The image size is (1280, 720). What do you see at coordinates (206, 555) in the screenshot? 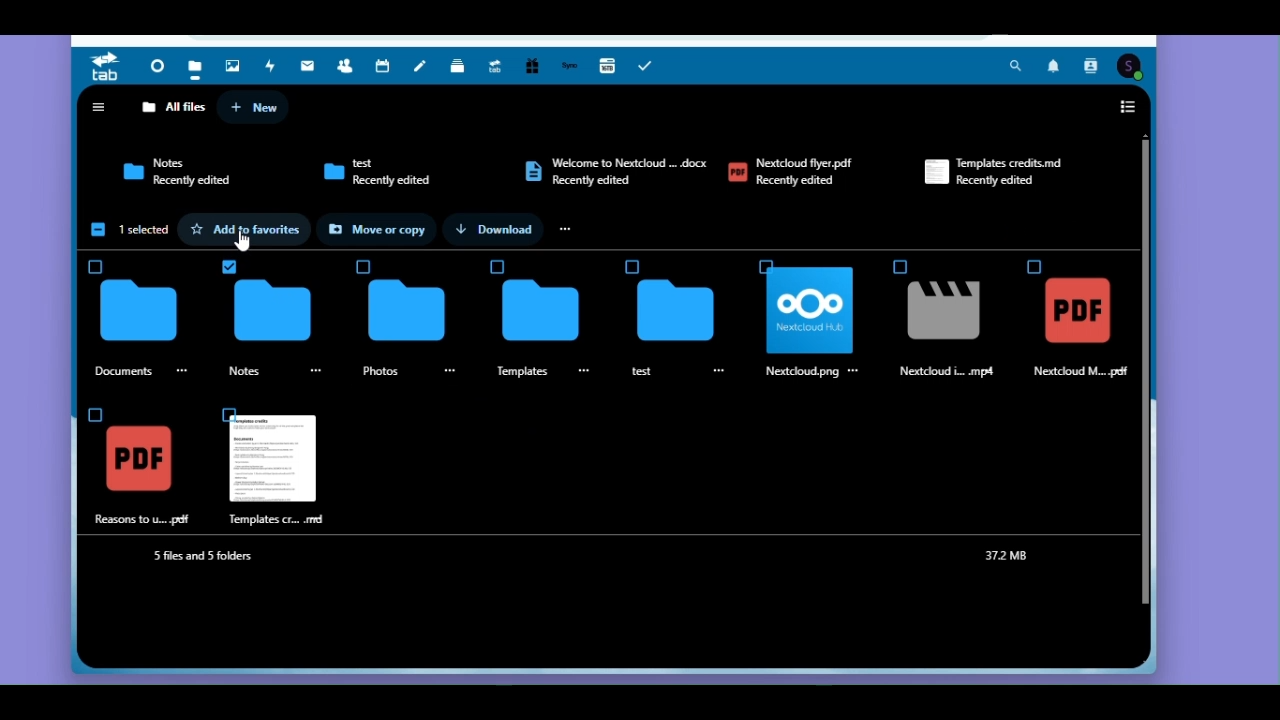
I see `5 files and 5 folders` at bounding box center [206, 555].